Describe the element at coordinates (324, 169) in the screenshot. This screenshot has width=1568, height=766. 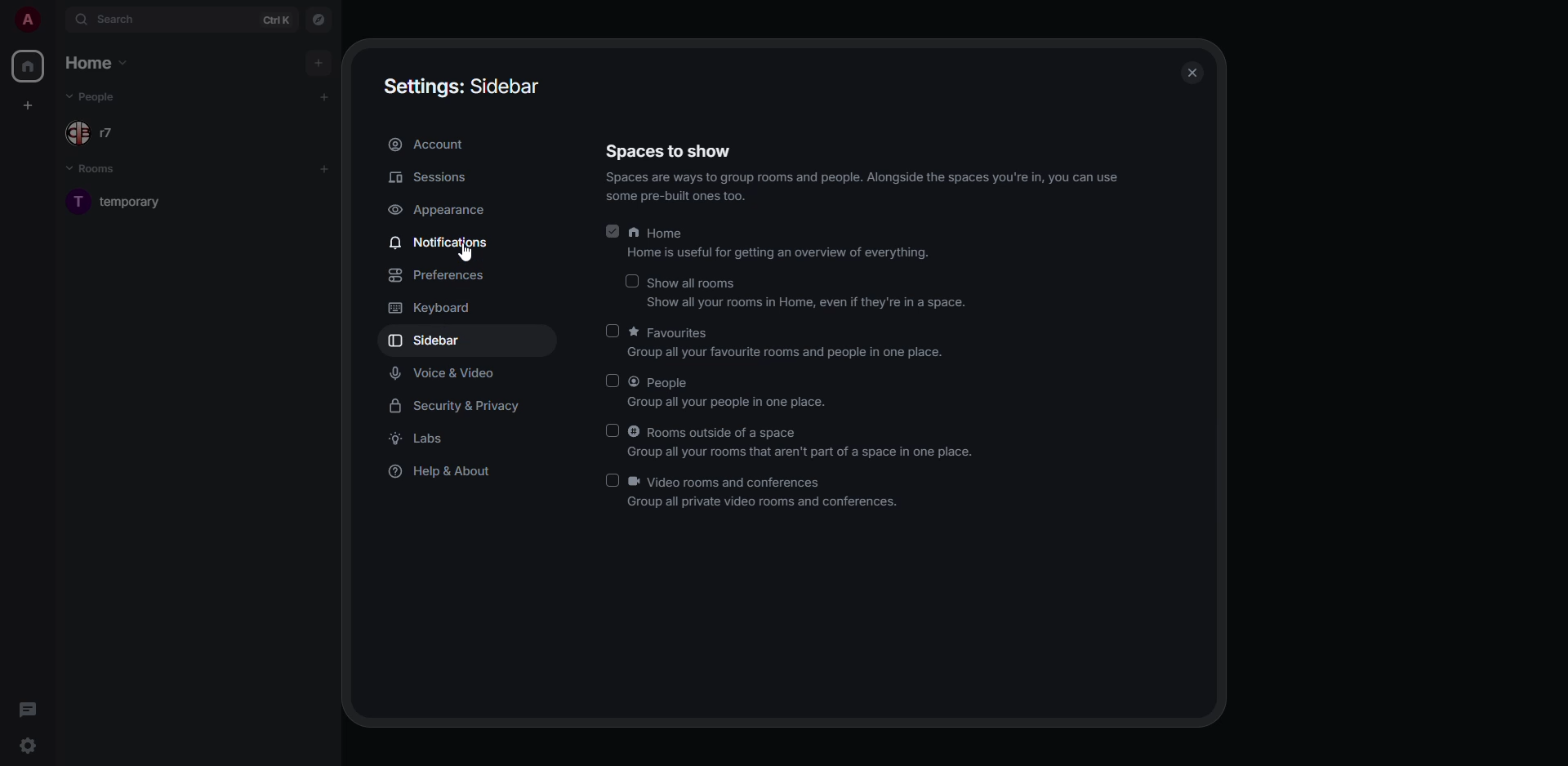
I see `add` at that location.